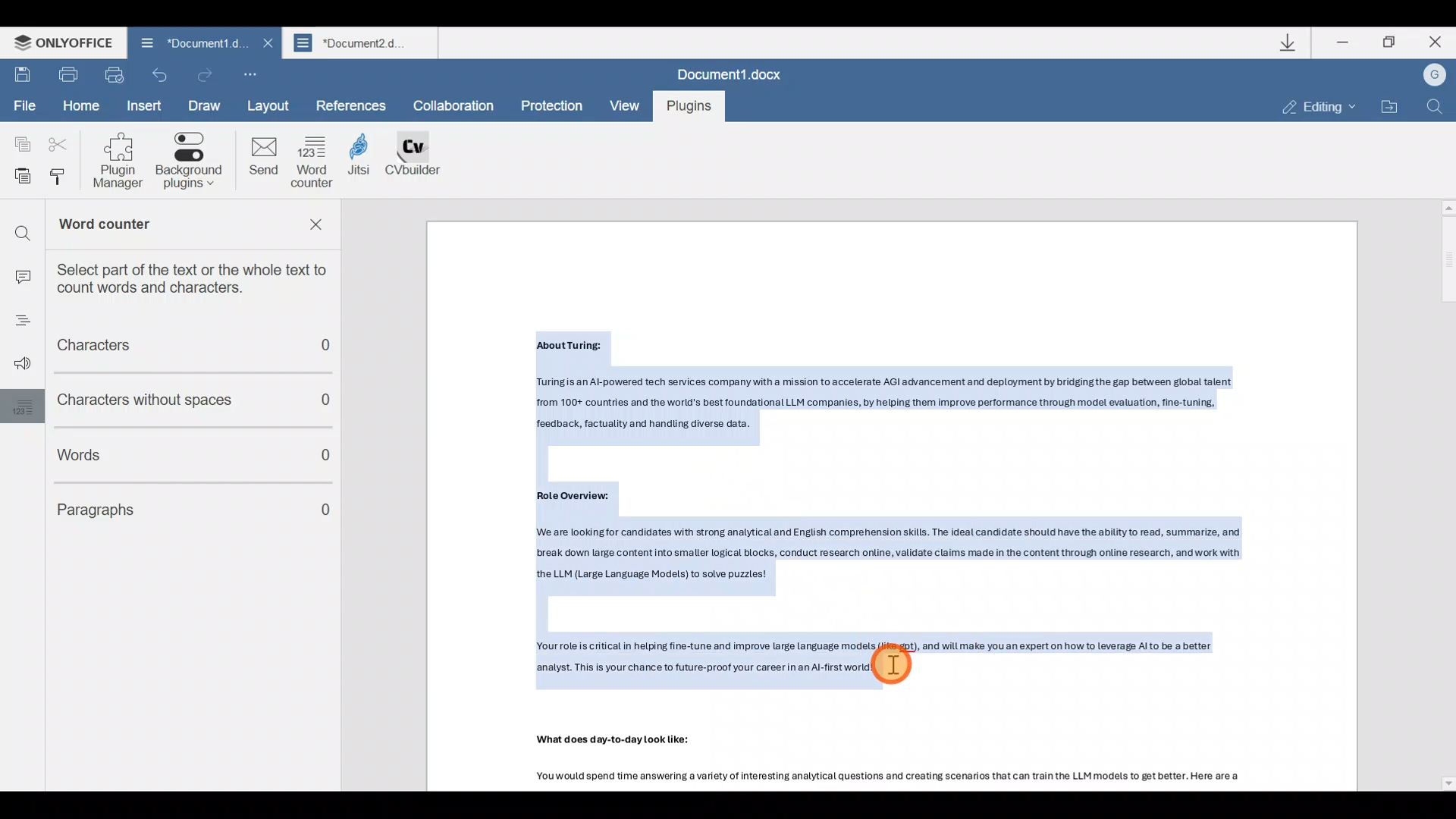  I want to click on Cursor, so click(892, 664).